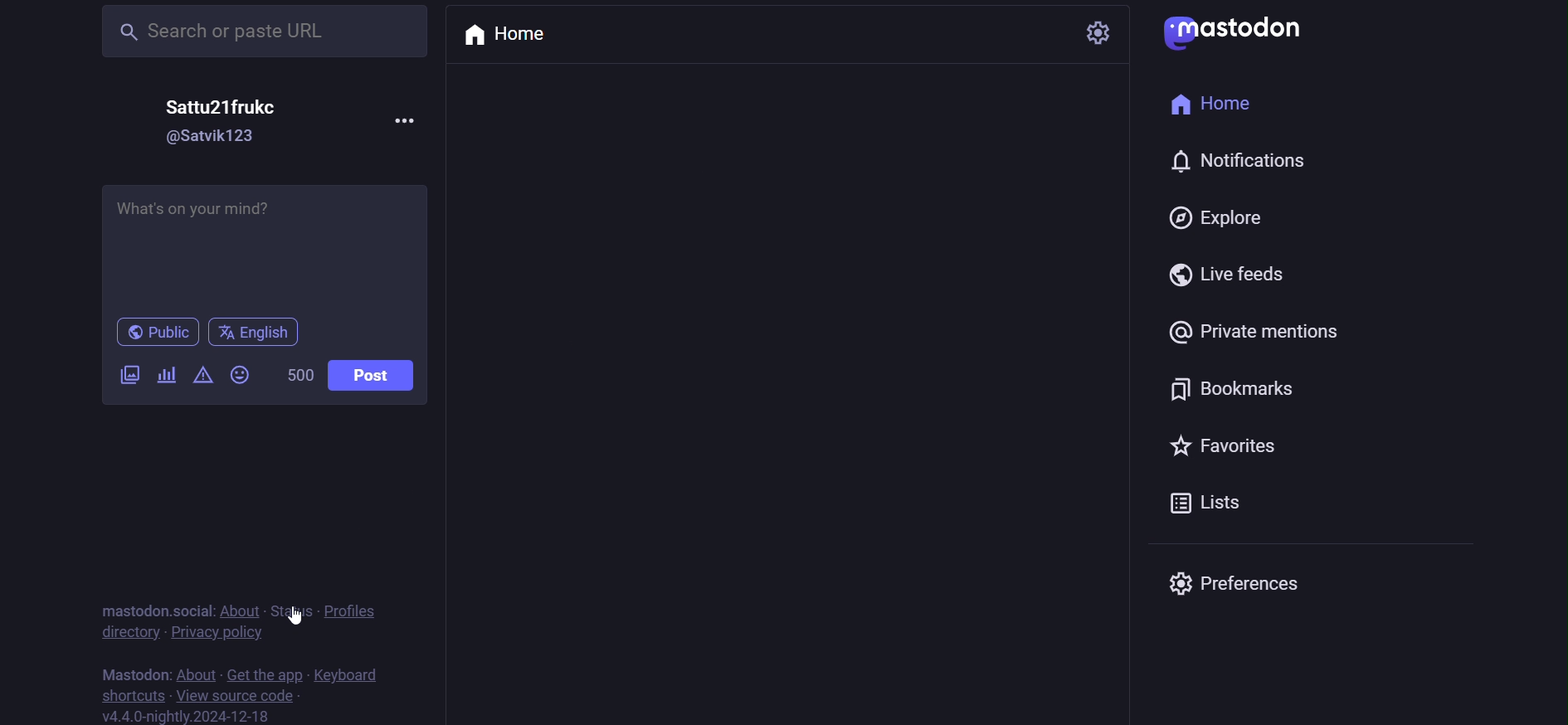  Describe the element at coordinates (243, 376) in the screenshot. I see `emiji` at that location.